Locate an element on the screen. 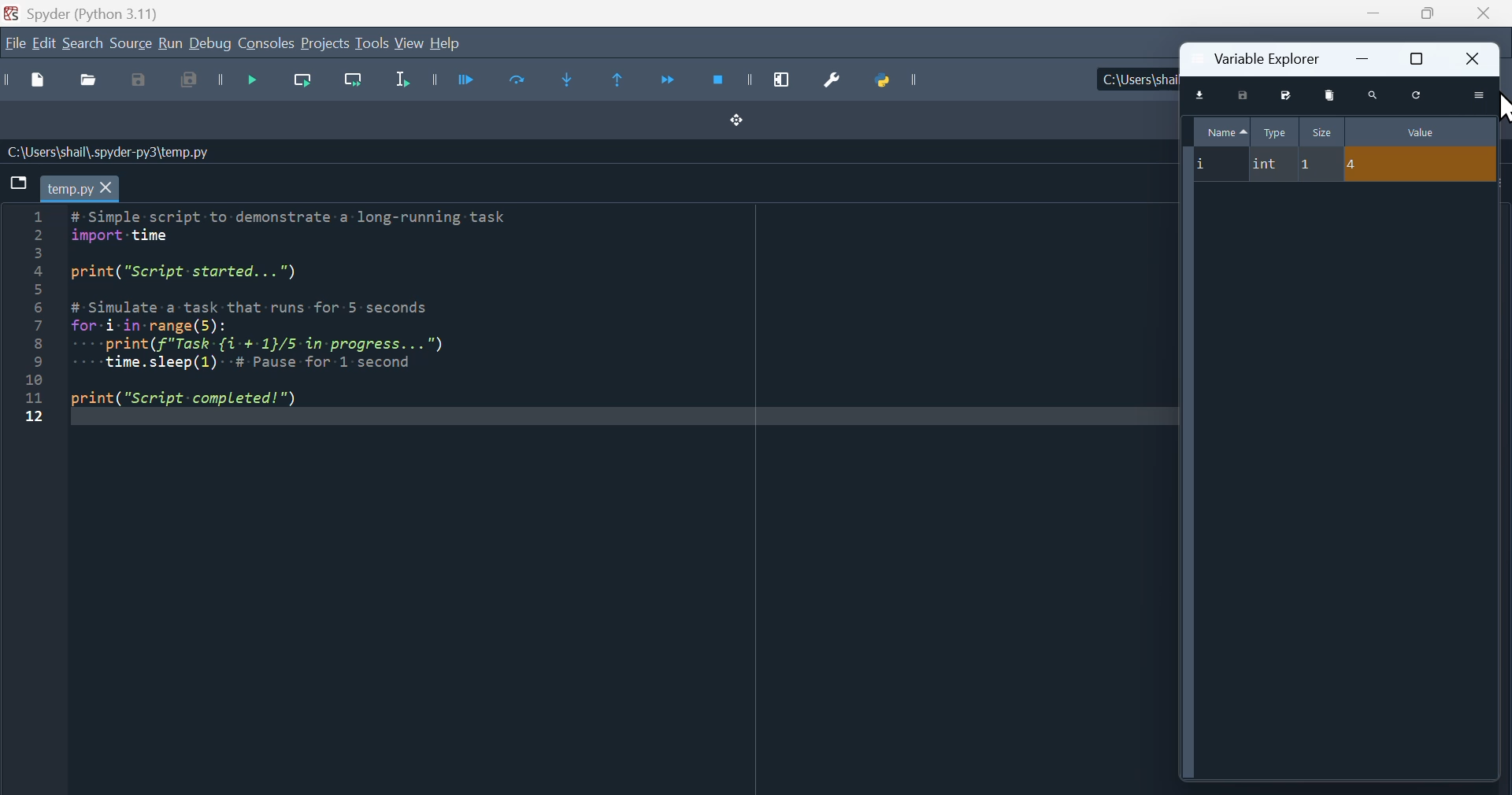 The width and height of the screenshot is (1512, 795). Search is located at coordinates (83, 45).